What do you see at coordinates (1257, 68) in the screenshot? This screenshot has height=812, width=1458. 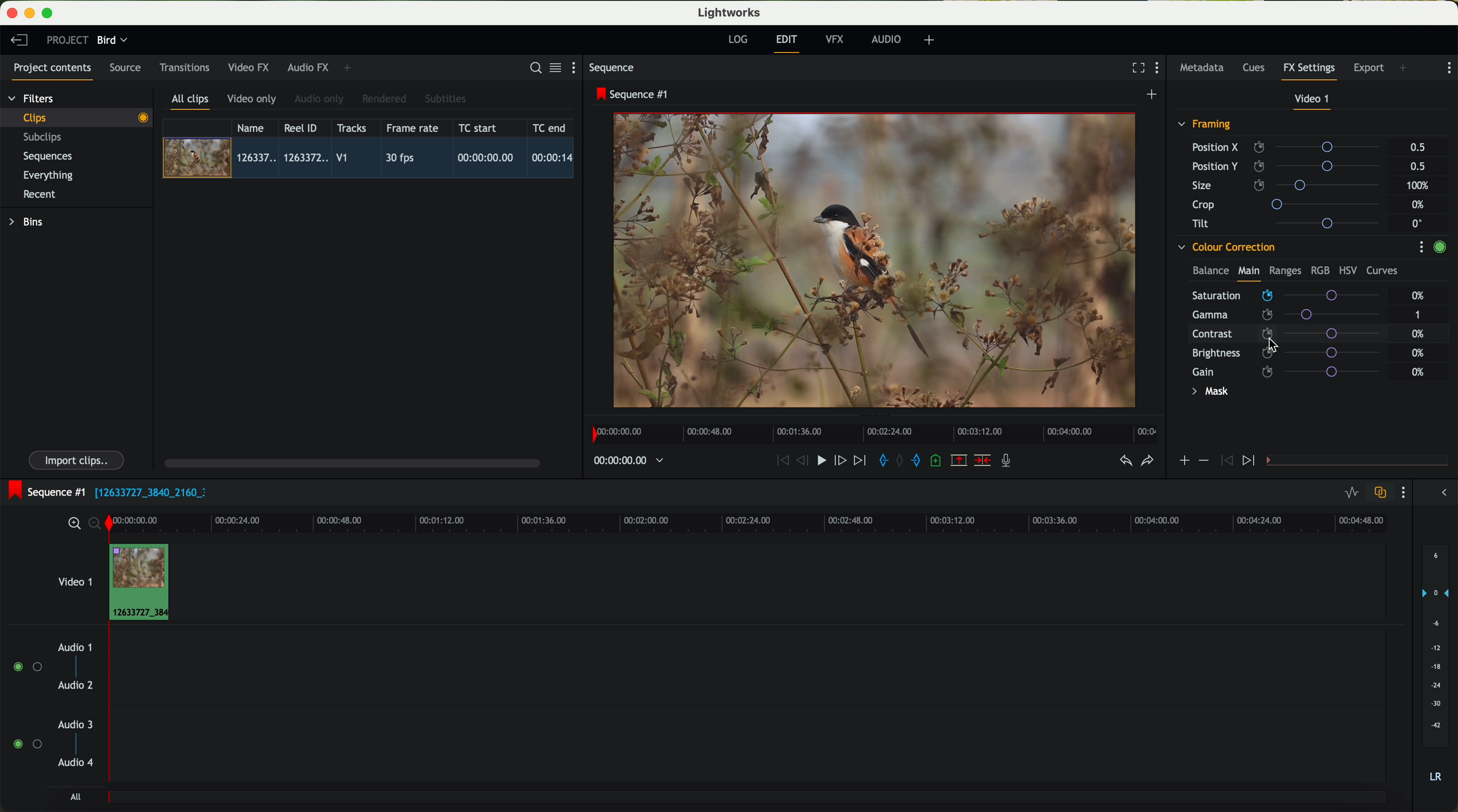 I see `cues` at bounding box center [1257, 68].